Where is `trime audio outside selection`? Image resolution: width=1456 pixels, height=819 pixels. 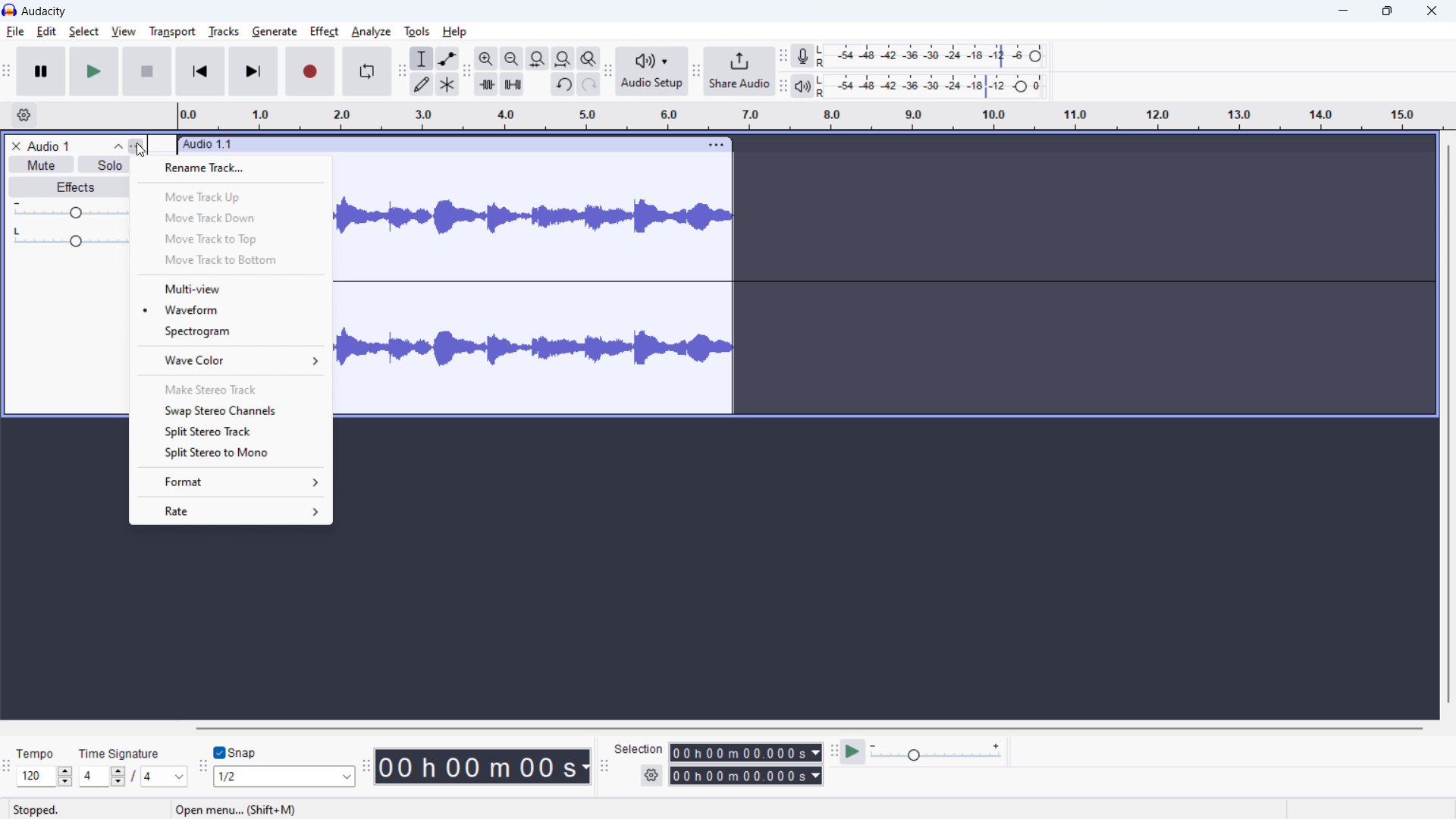
trime audio outside selection is located at coordinates (487, 84).